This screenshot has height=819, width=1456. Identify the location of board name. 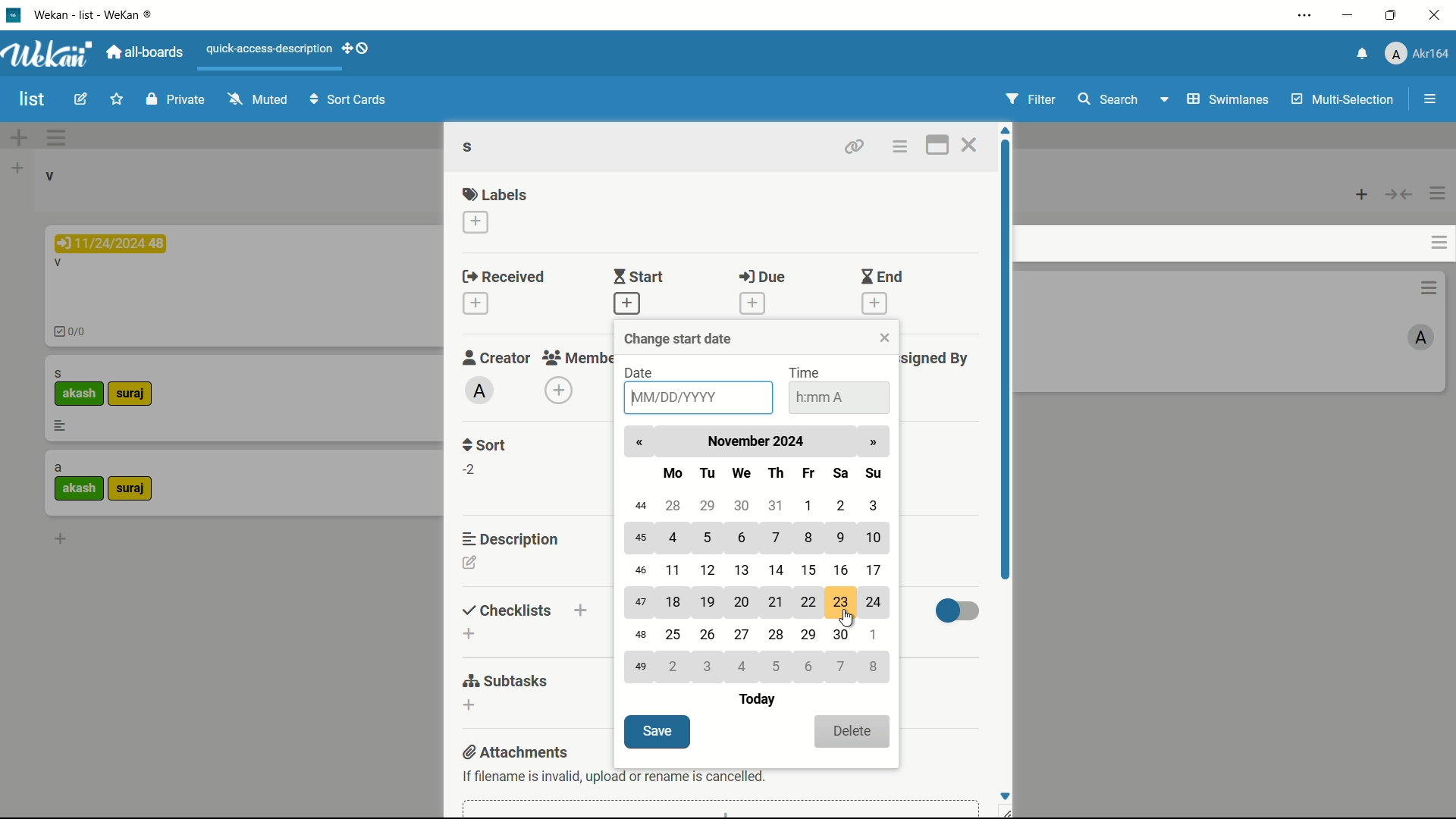
(33, 100).